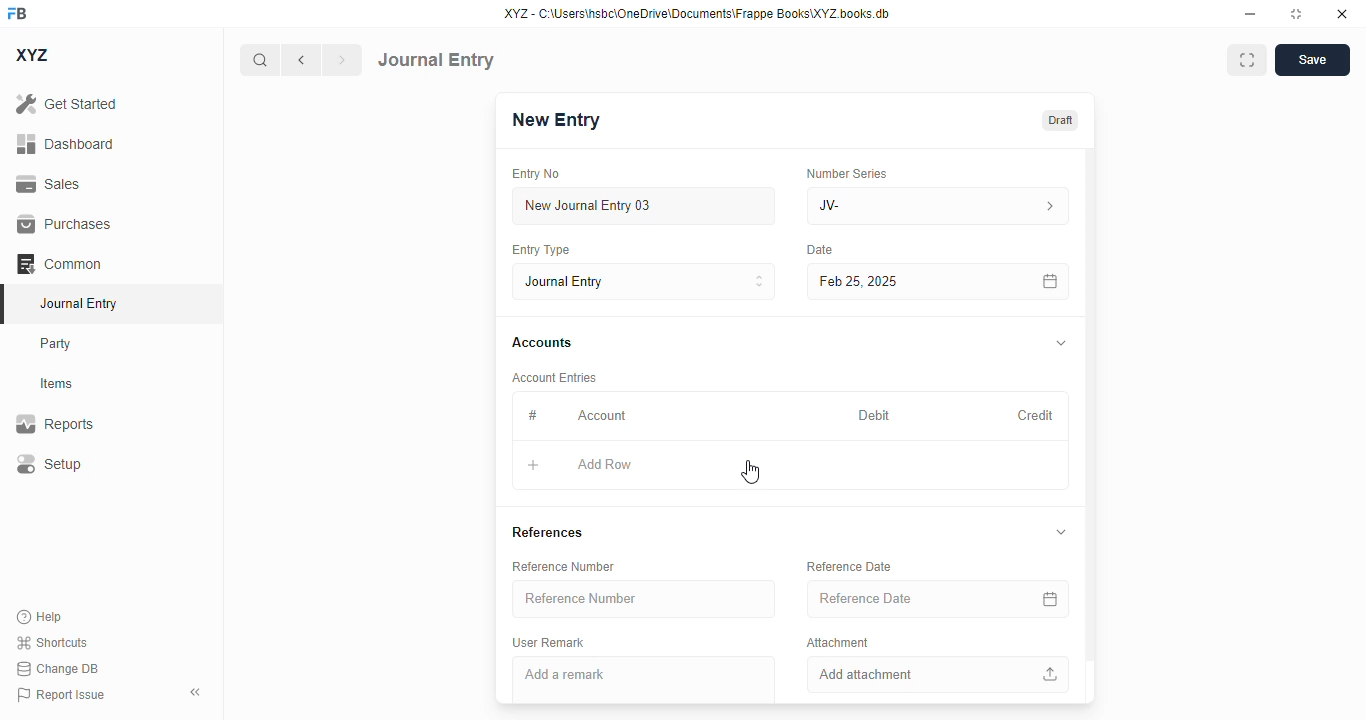 The height and width of the screenshot is (720, 1366). What do you see at coordinates (1061, 121) in the screenshot?
I see `draft` at bounding box center [1061, 121].